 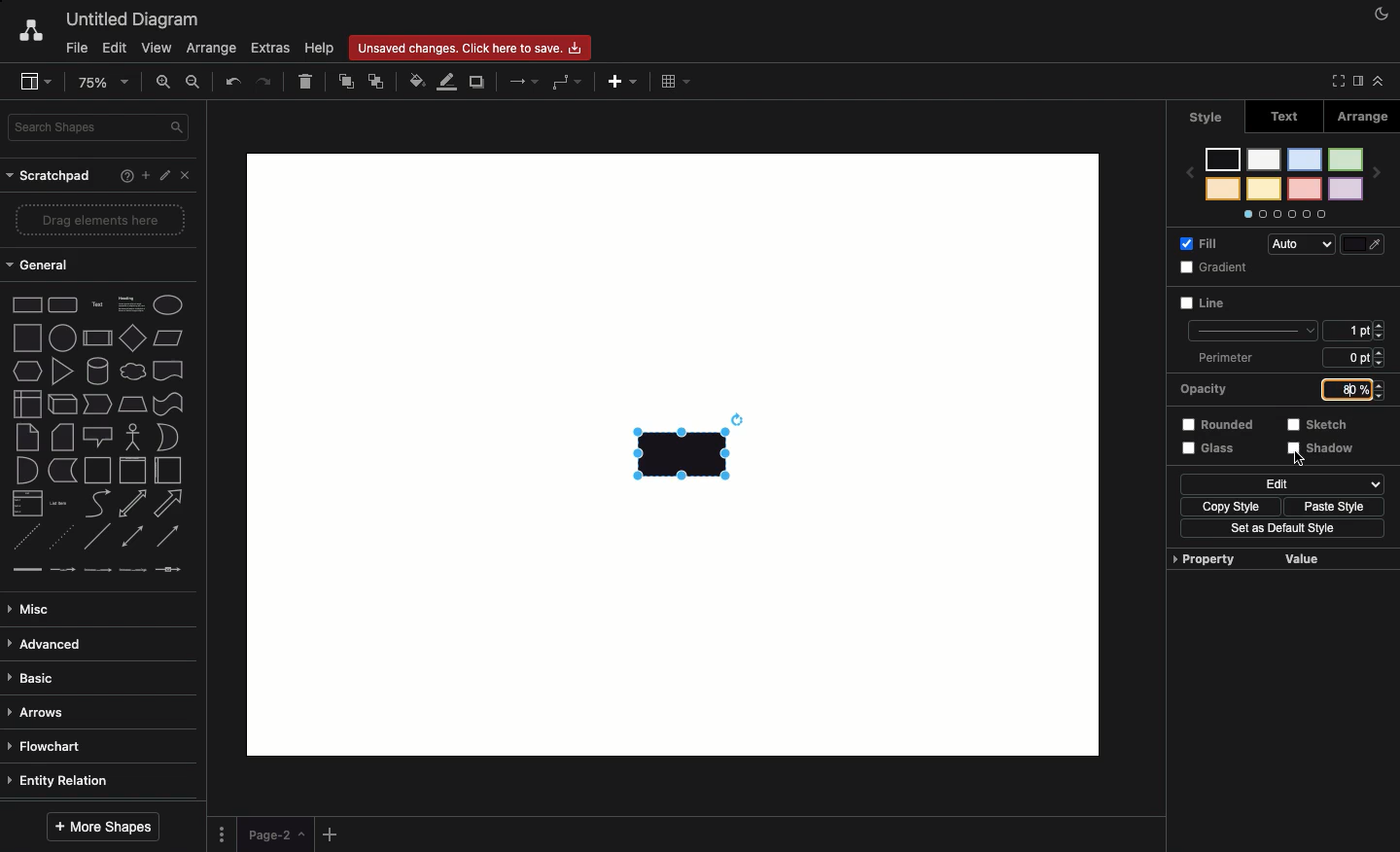 What do you see at coordinates (1220, 424) in the screenshot?
I see `Rounded` at bounding box center [1220, 424].